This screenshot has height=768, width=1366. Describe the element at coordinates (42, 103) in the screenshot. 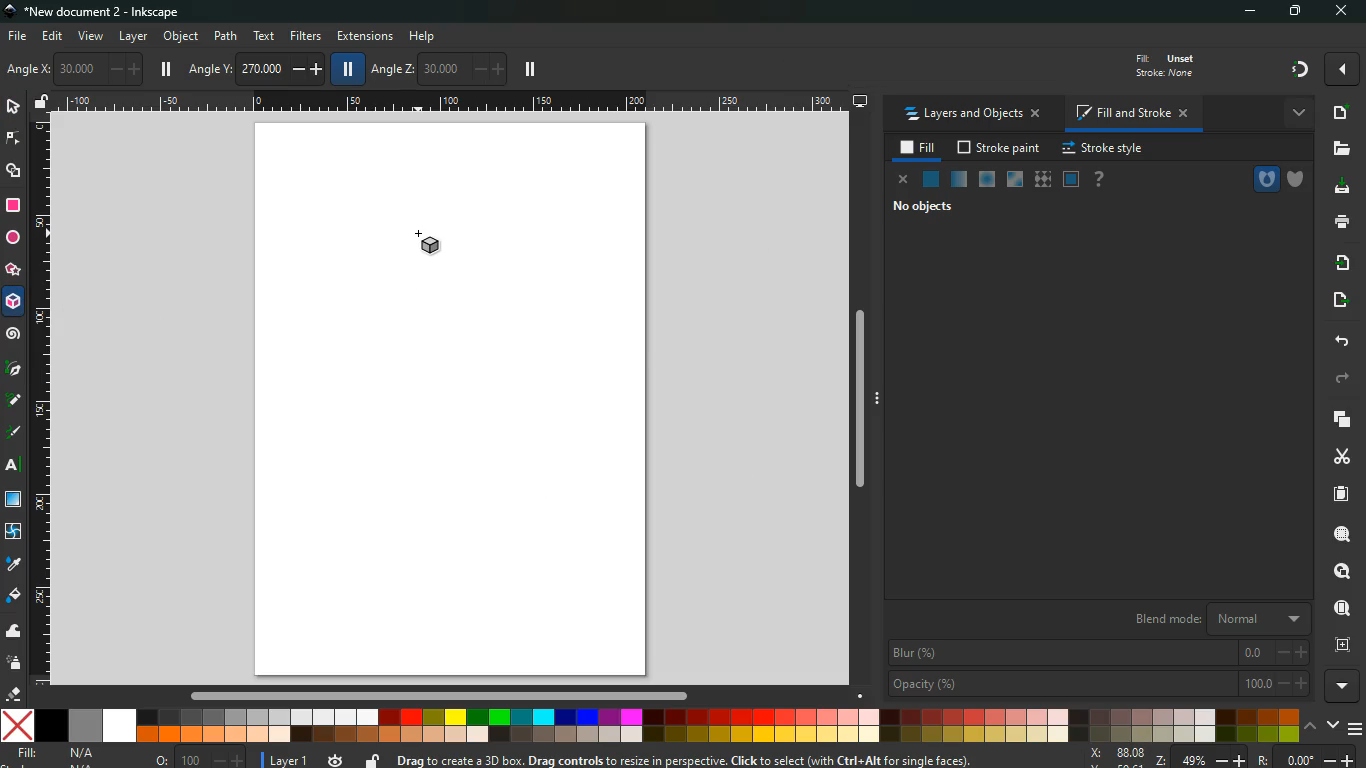

I see `unlock` at that location.